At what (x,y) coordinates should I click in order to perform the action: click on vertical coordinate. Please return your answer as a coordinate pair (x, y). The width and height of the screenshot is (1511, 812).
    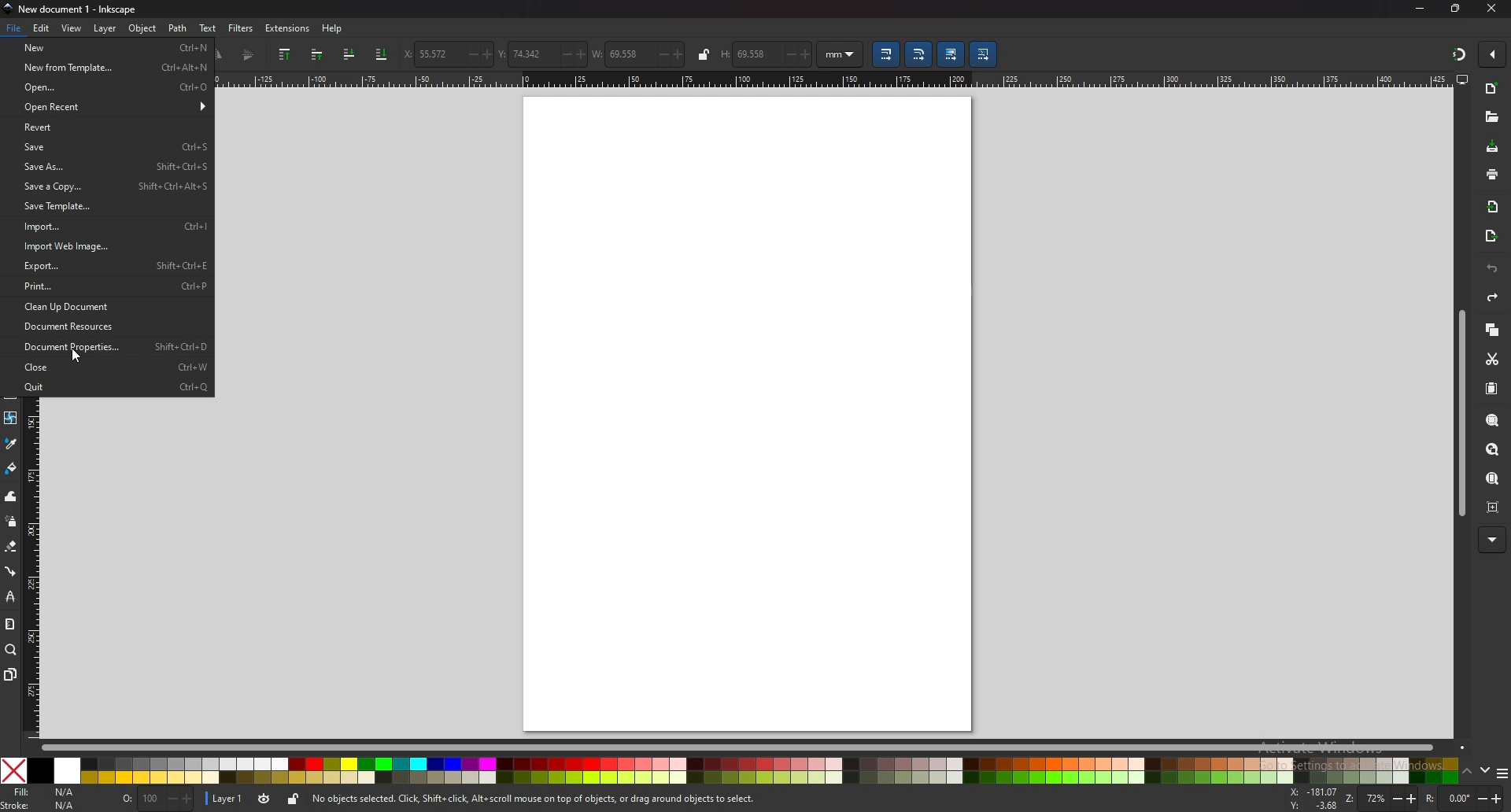
    Looking at the image, I should click on (519, 54).